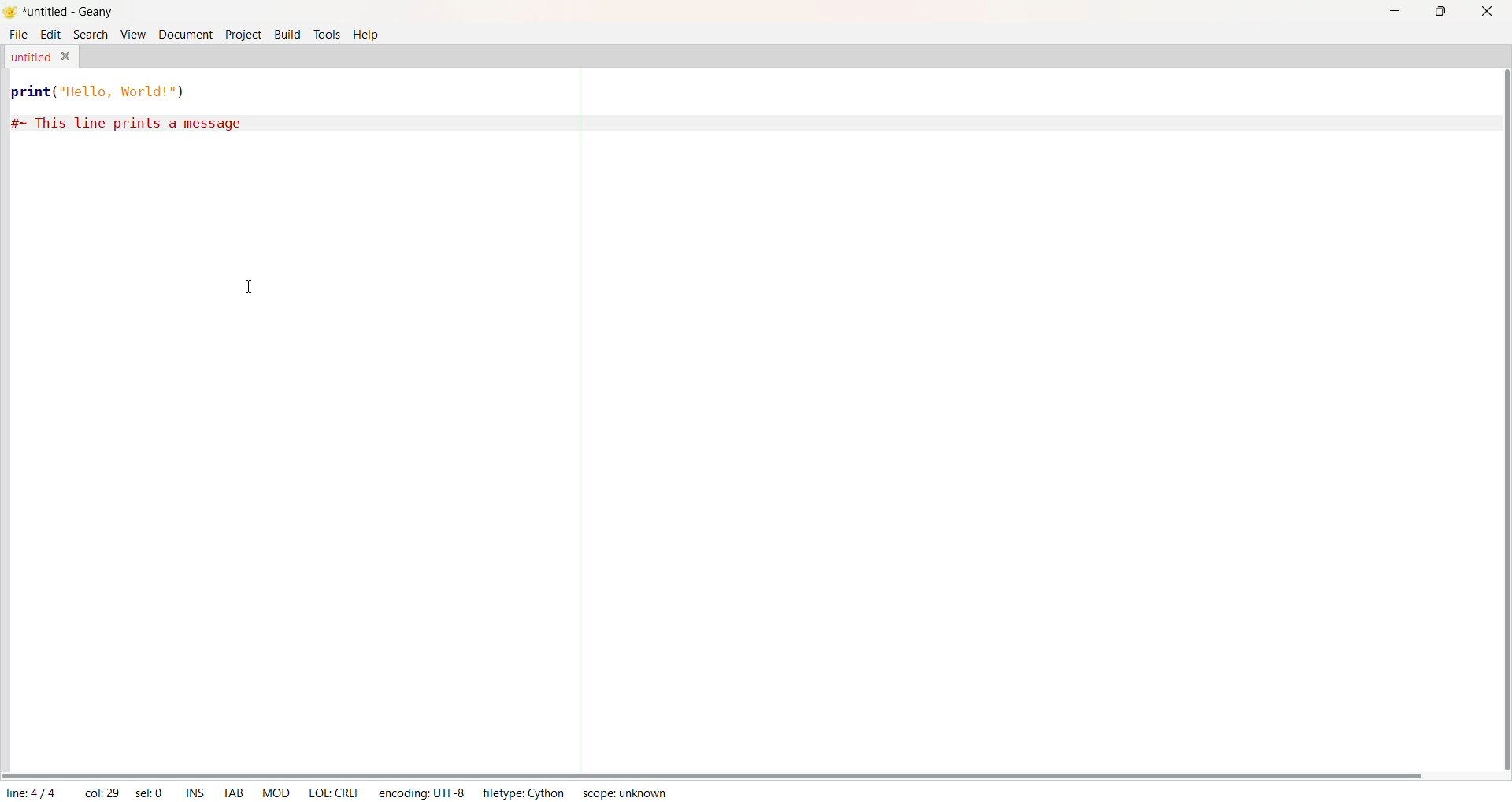 Image resolution: width=1512 pixels, height=802 pixels. What do you see at coordinates (89, 35) in the screenshot?
I see `Search` at bounding box center [89, 35].